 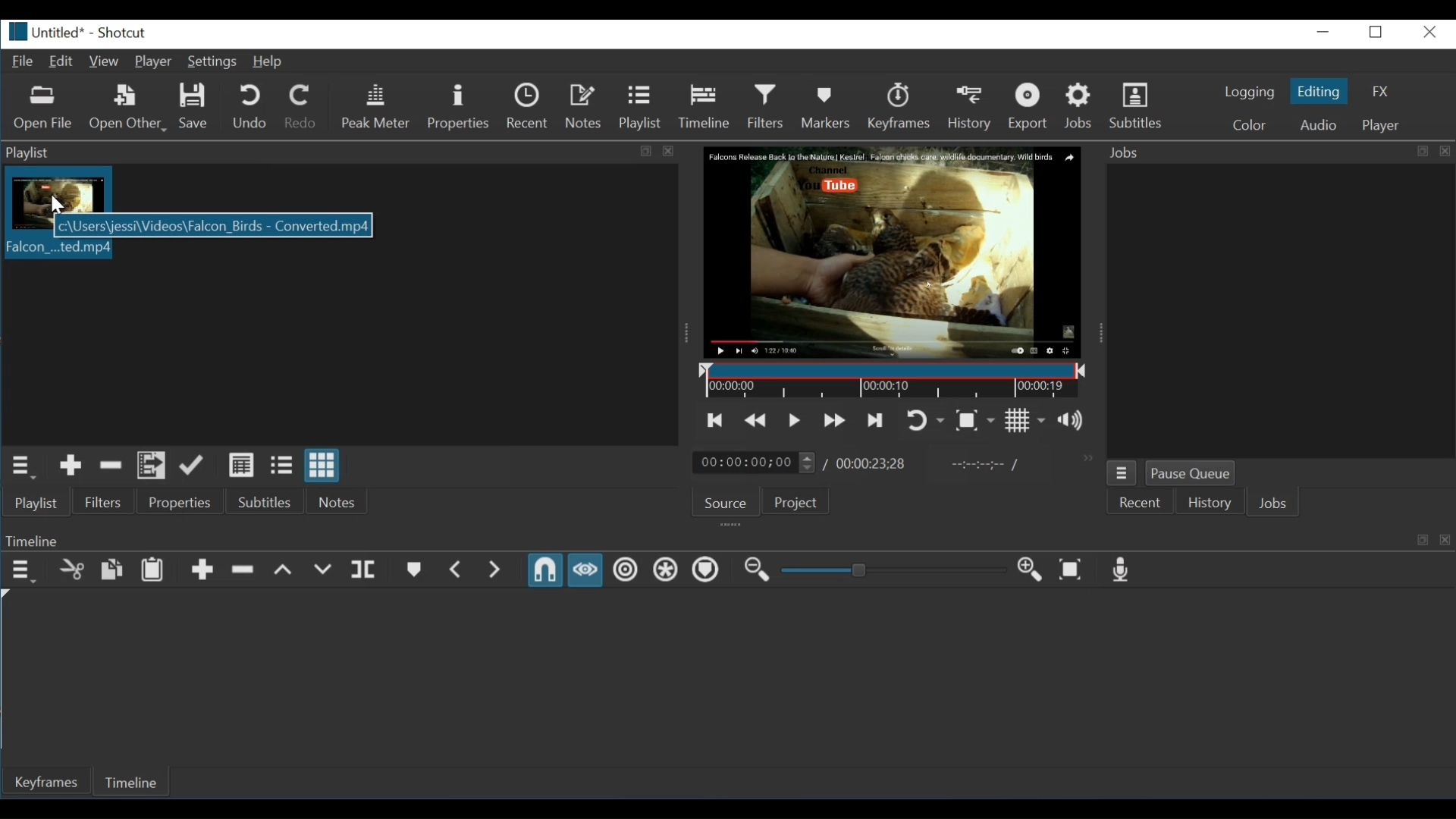 I want to click on Toggle play or pause, so click(x=794, y=421).